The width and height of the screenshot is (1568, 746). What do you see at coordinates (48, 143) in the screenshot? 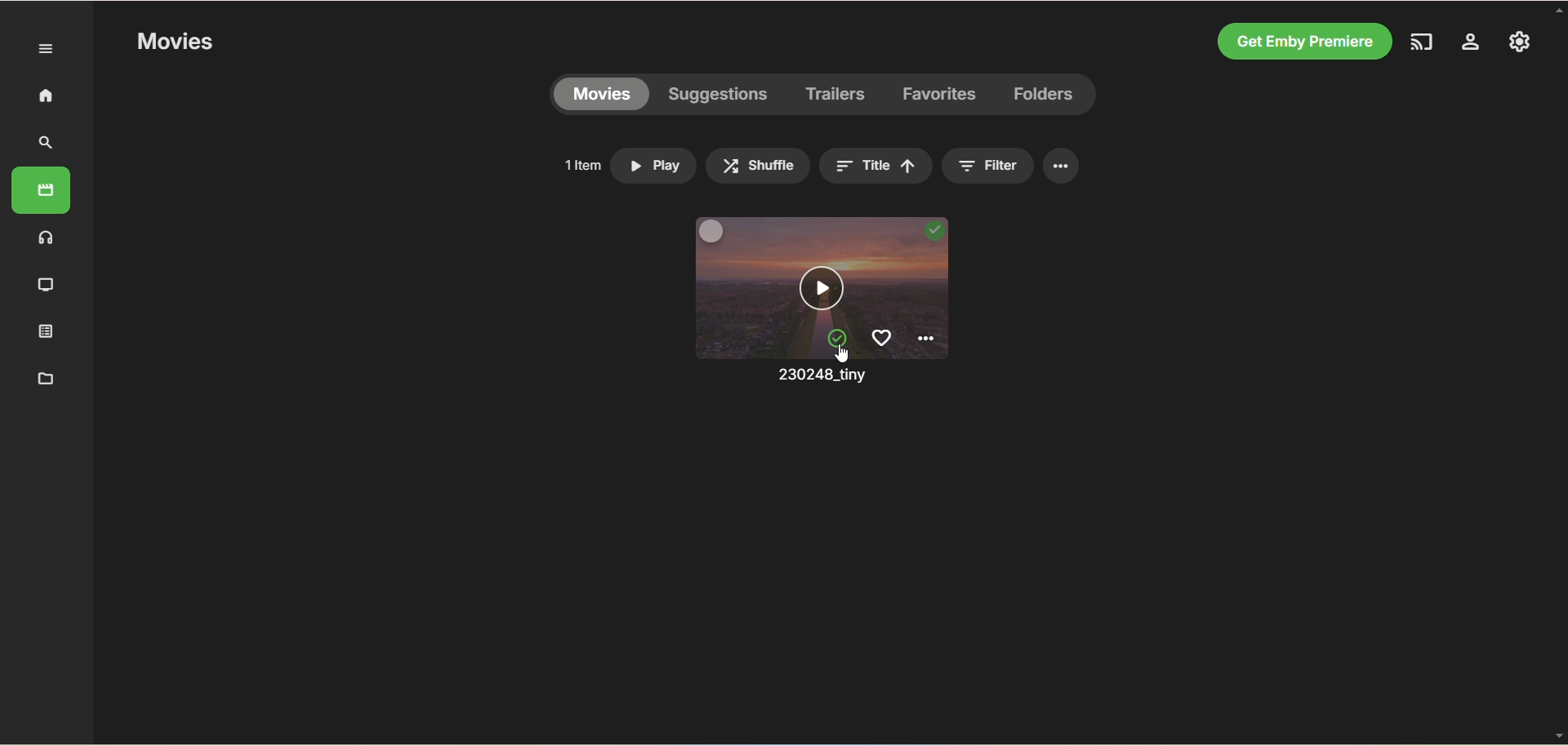
I see `search` at bounding box center [48, 143].